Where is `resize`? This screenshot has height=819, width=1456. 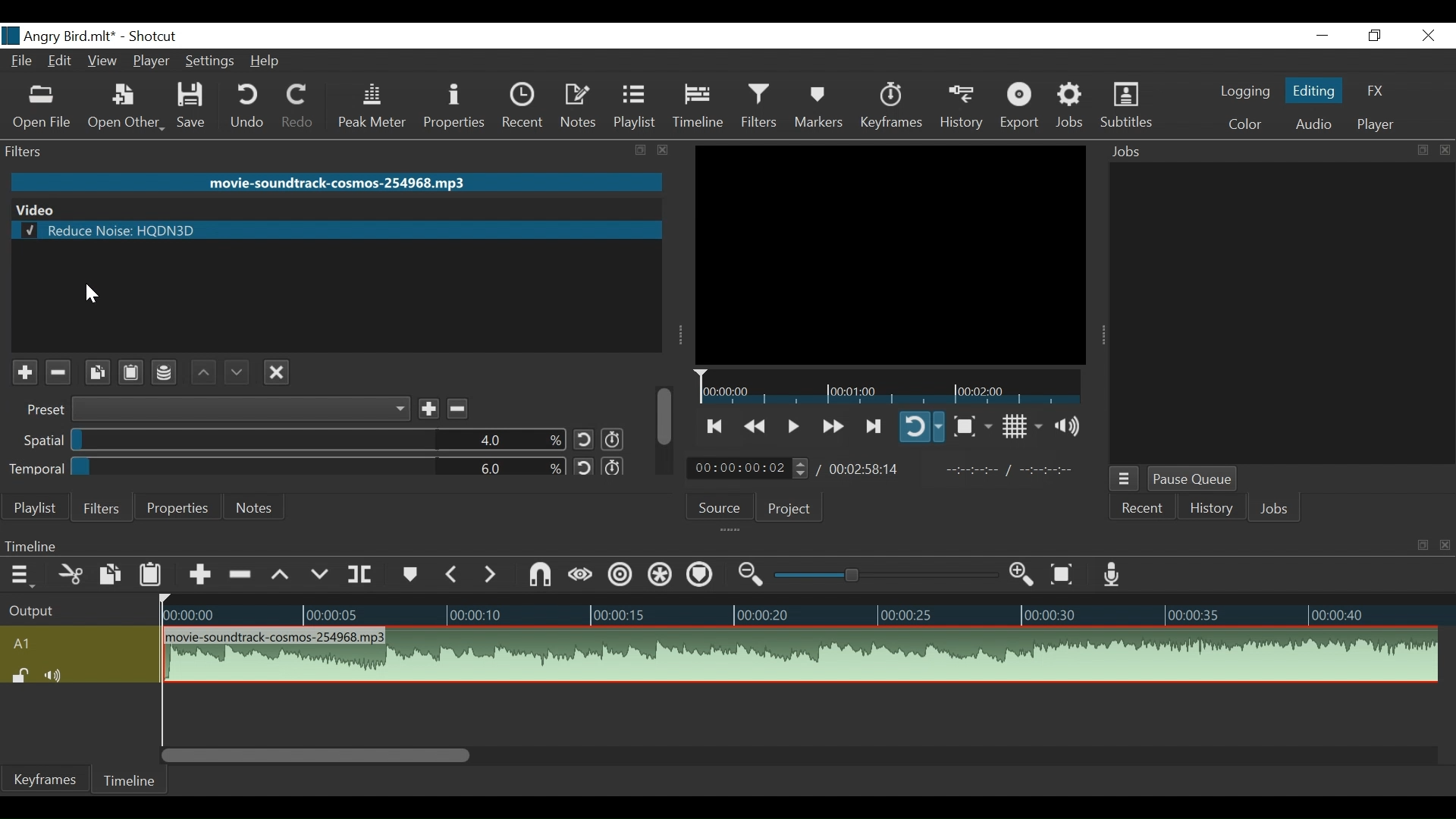
resize is located at coordinates (1421, 150).